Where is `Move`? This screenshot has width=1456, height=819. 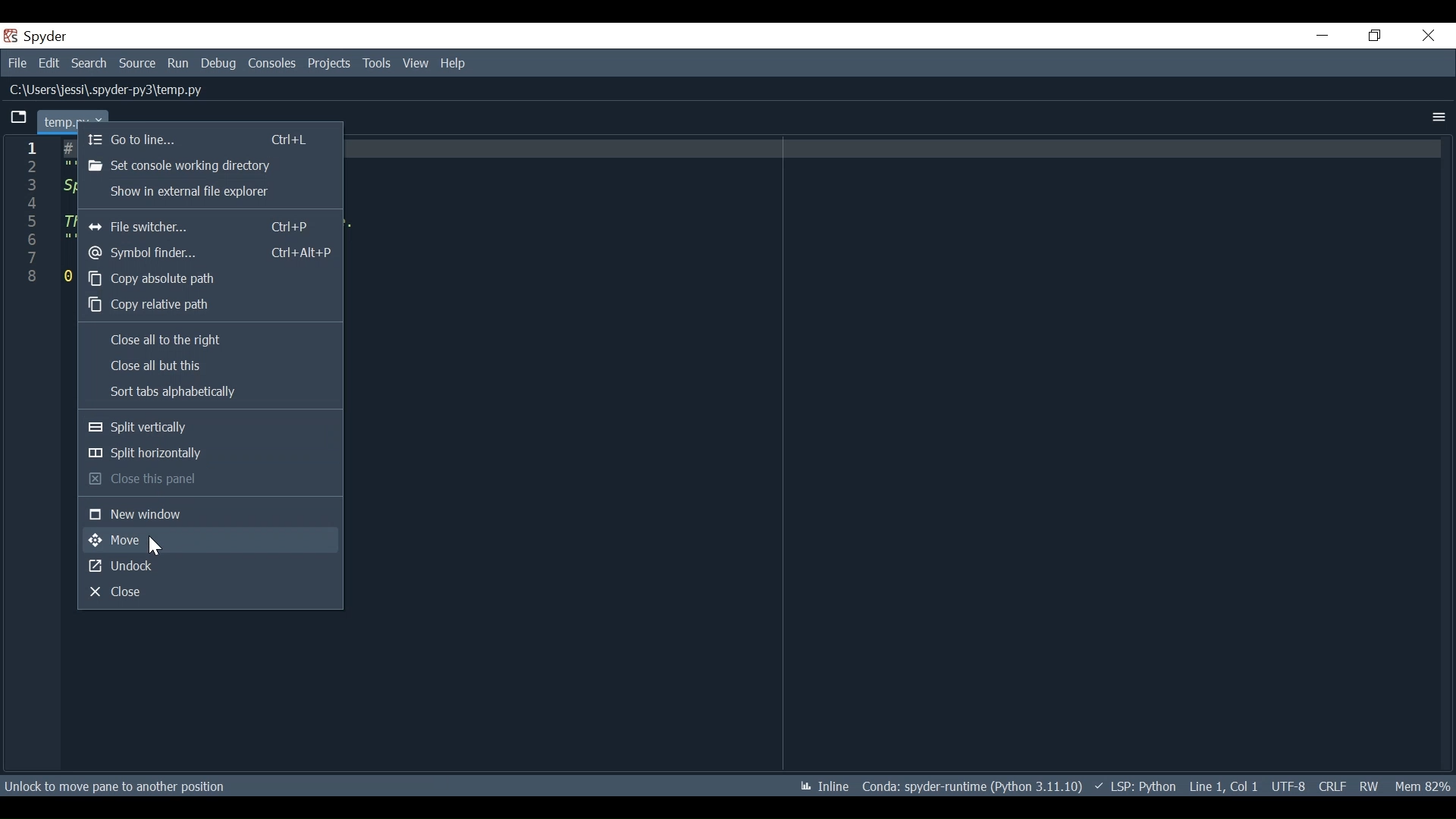 Move is located at coordinates (211, 541).